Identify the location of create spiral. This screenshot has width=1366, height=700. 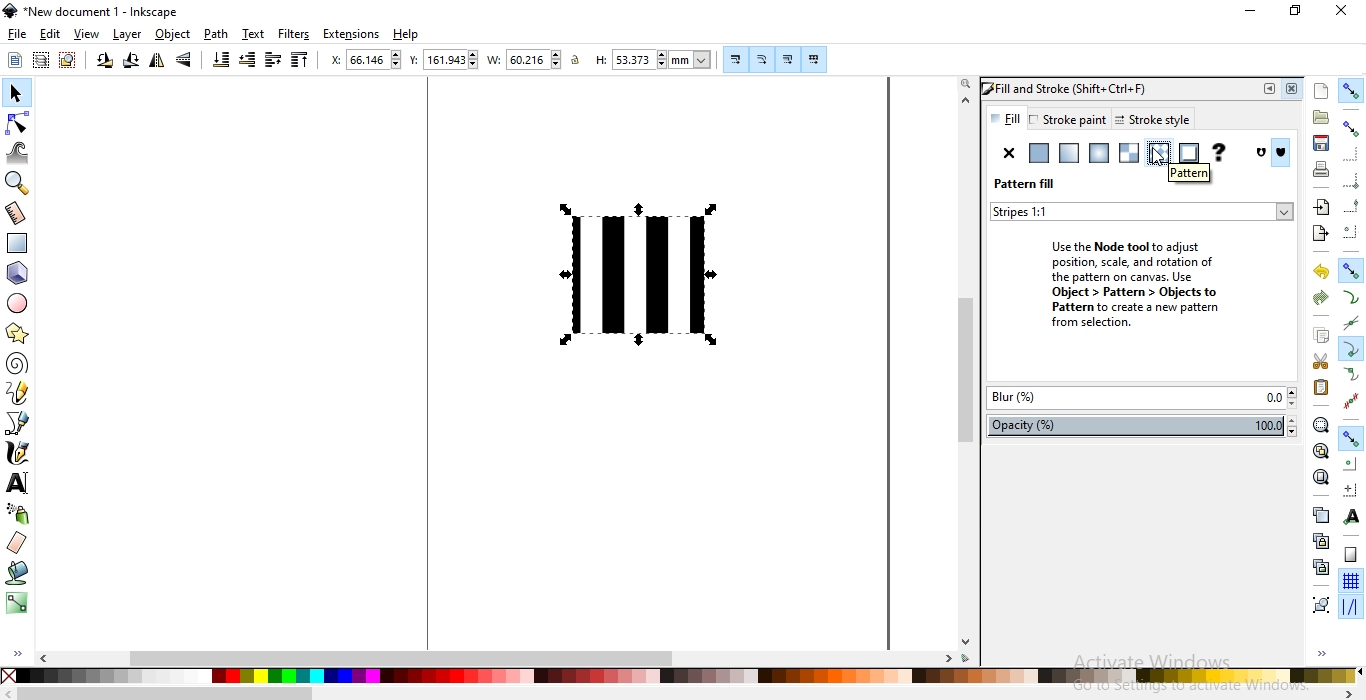
(16, 364).